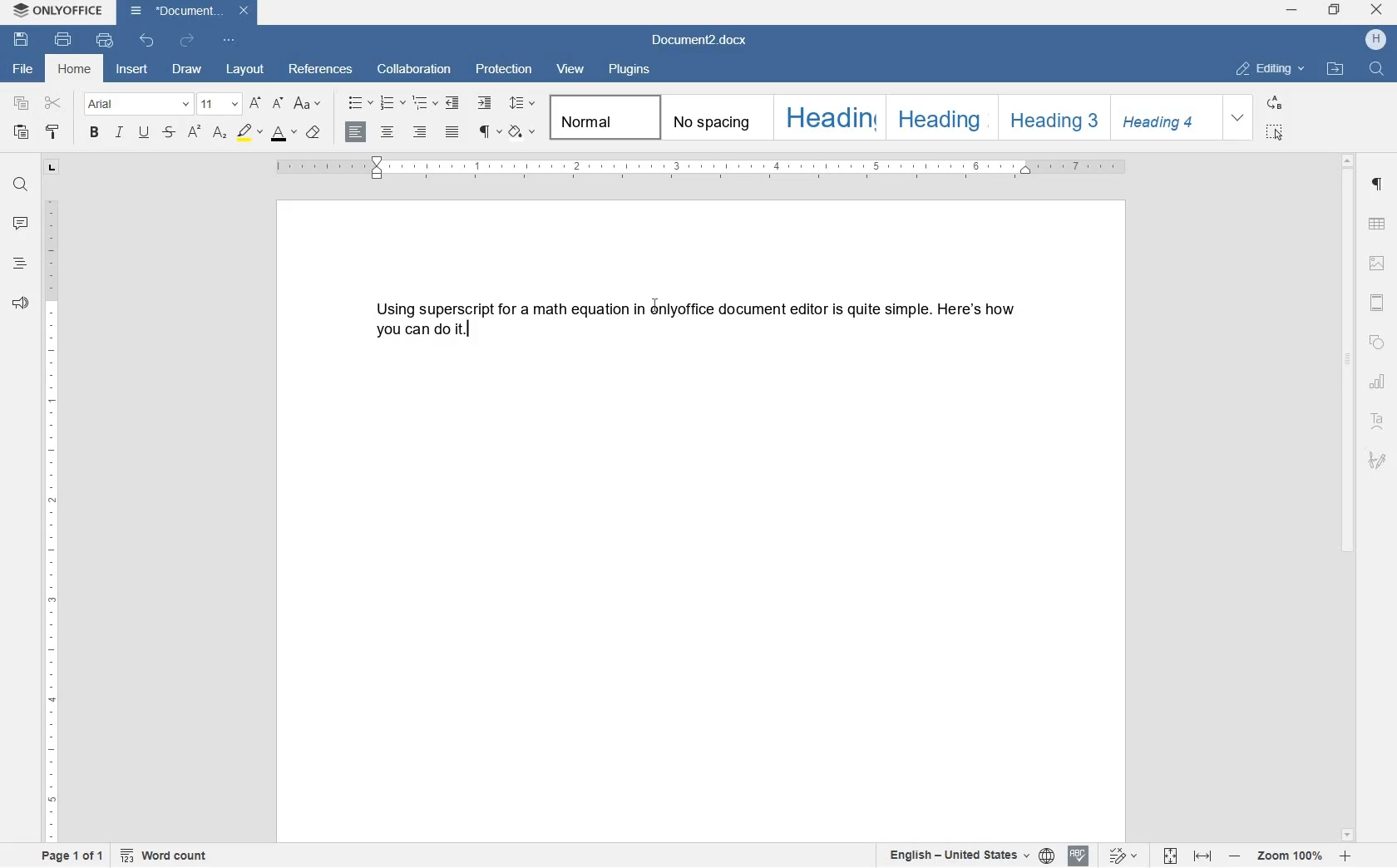 Image resolution: width=1397 pixels, height=868 pixels. What do you see at coordinates (390, 132) in the screenshot?
I see `align center` at bounding box center [390, 132].